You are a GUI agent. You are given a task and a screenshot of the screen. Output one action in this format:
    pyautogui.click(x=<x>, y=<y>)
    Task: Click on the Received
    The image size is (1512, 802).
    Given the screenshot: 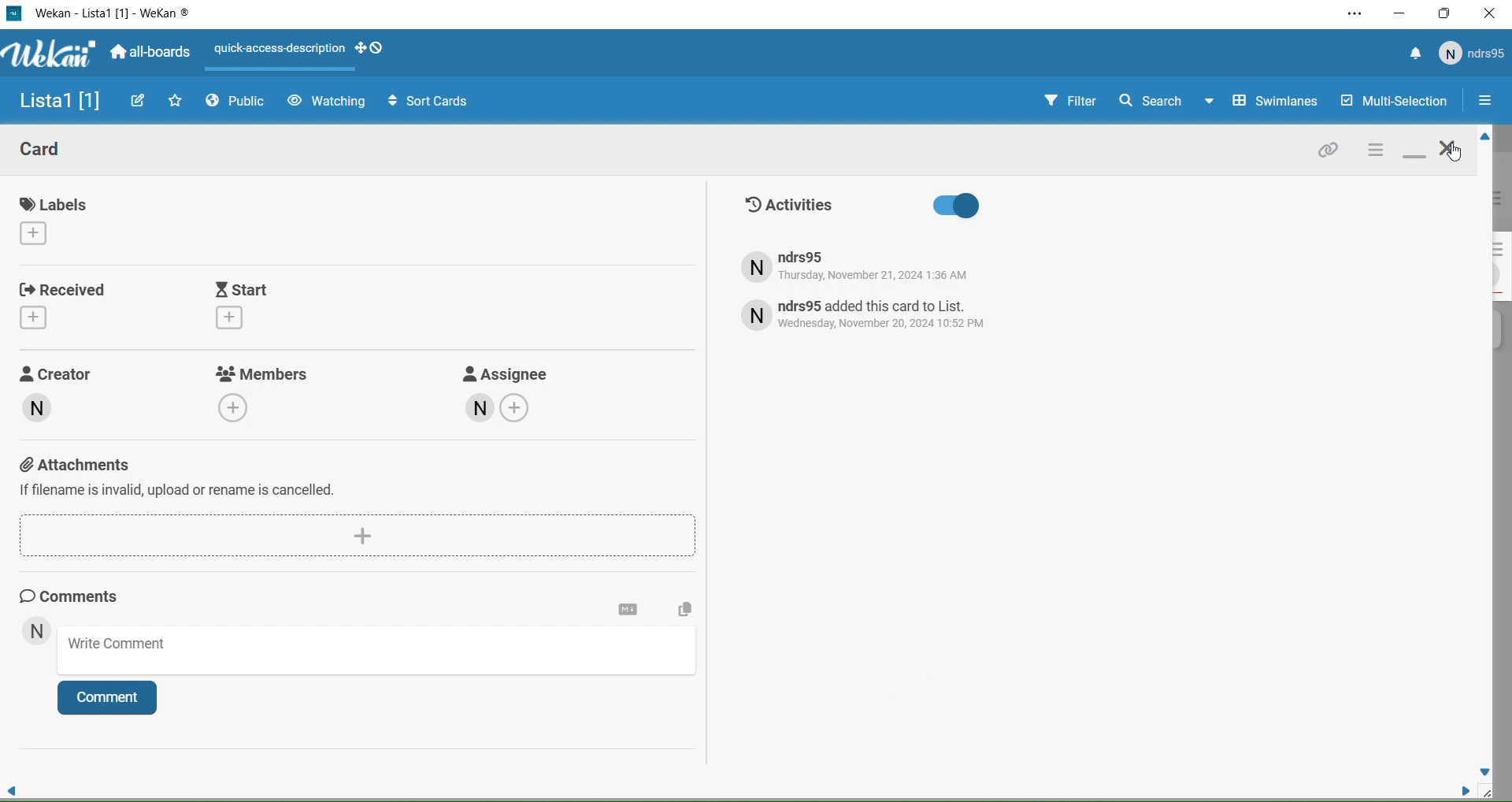 What is the action you would take?
    pyautogui.click(x=67, y=303)
    